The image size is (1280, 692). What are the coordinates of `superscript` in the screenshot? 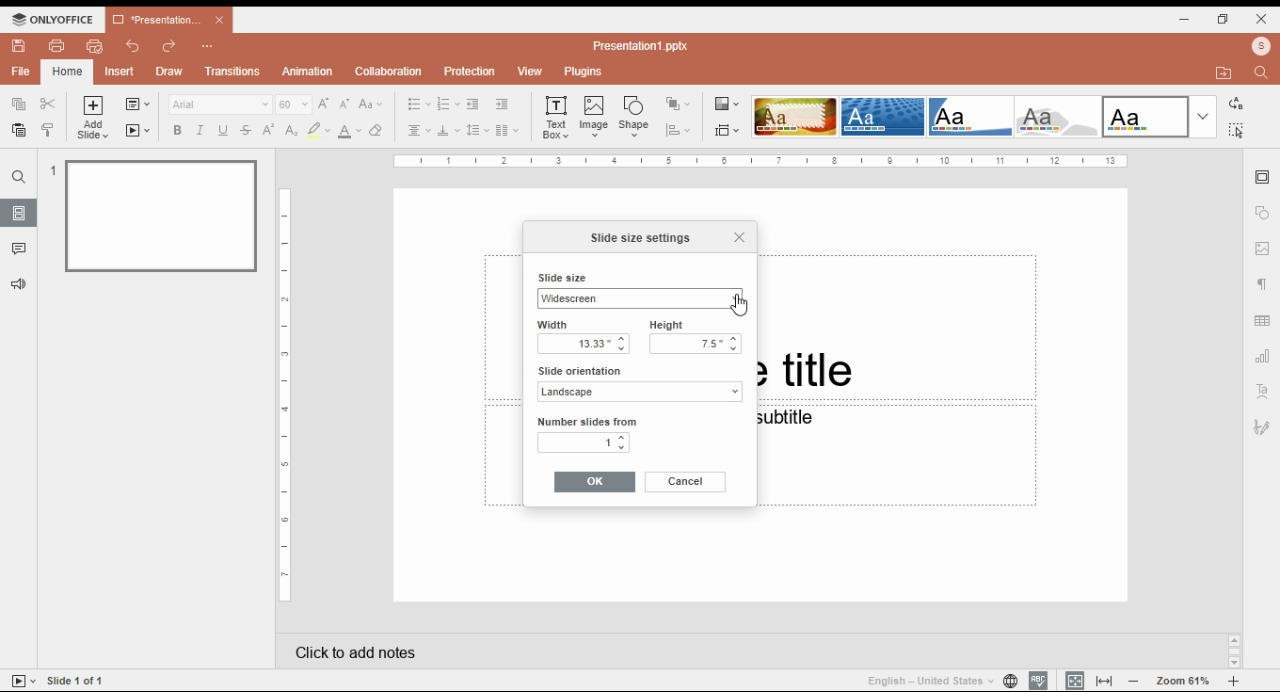 It's located at (269, 129).